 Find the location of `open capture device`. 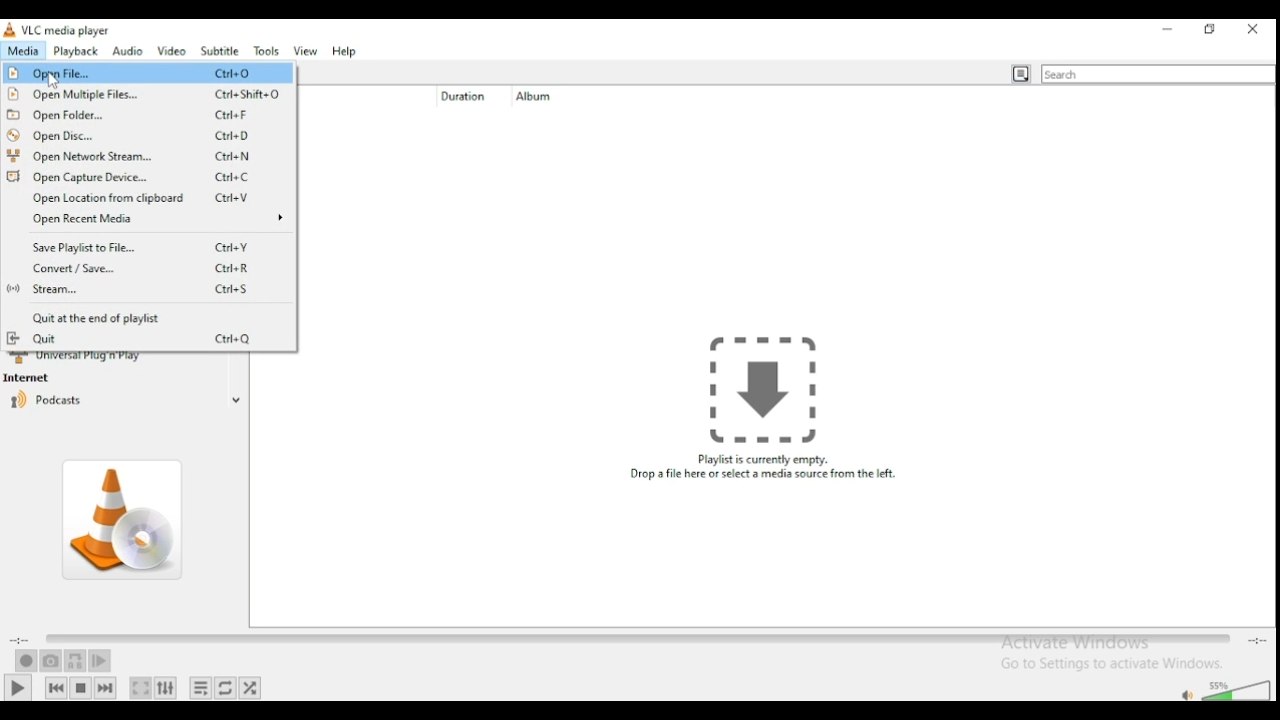

open capture device is located at coordinates (150, 178).